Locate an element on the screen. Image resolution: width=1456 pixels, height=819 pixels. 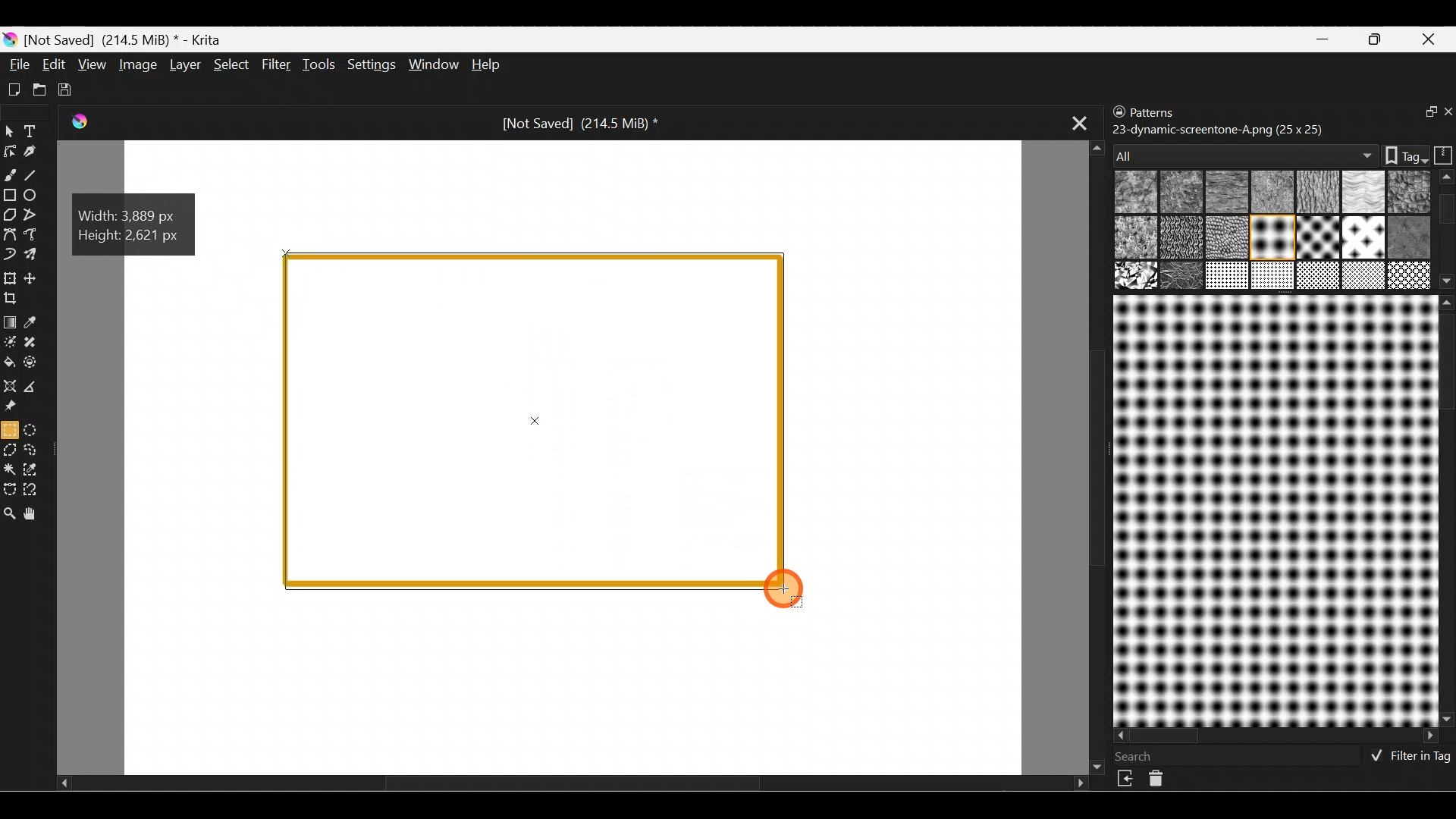
Edit is located at coordinates (53, 66).